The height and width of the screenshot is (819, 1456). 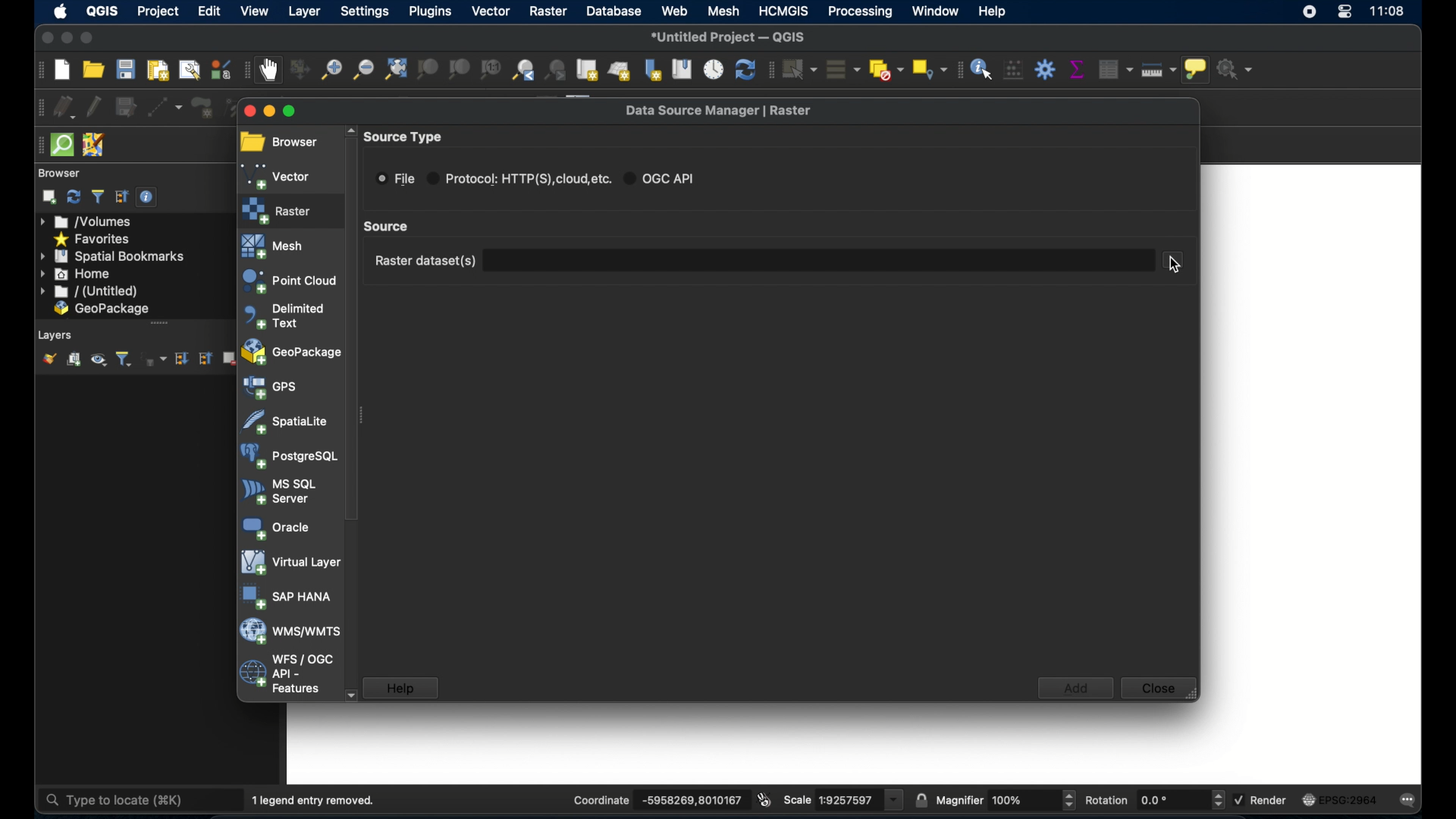 I want to click on ogc api radio button, so click(x=663, y=178).